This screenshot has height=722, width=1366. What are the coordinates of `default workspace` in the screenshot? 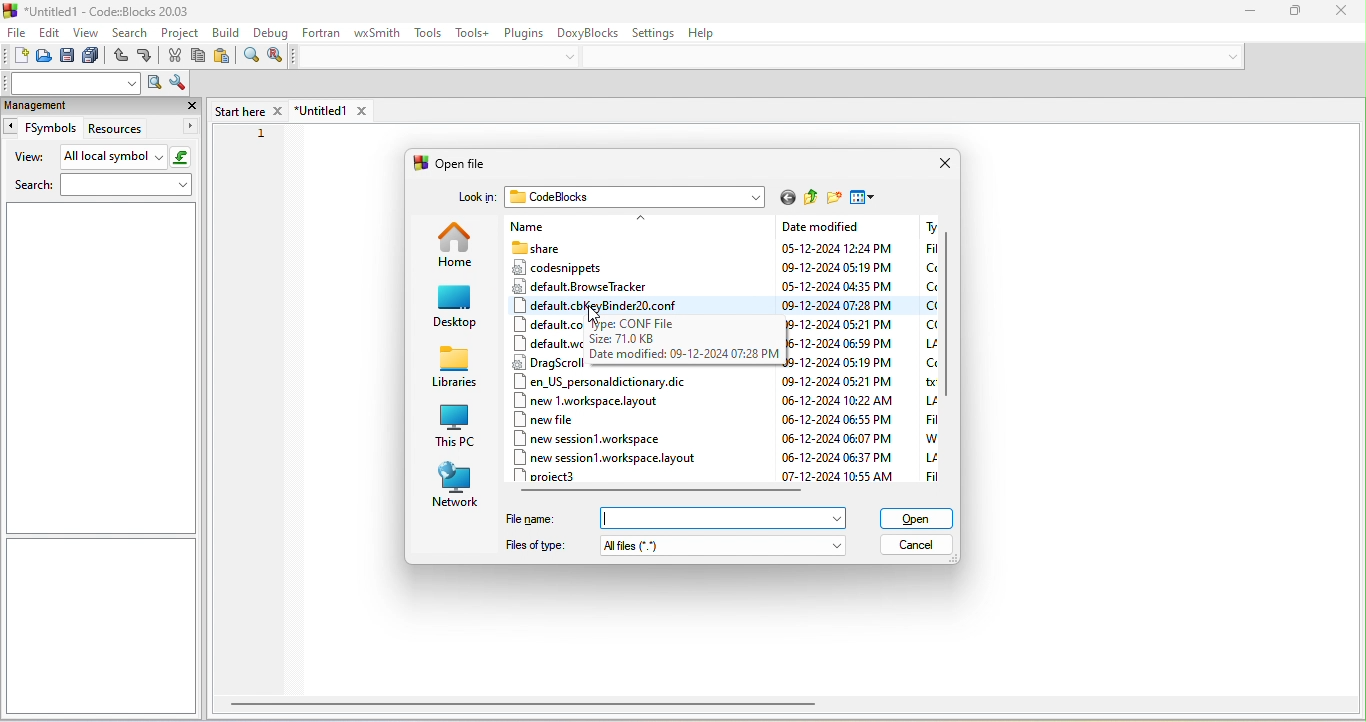 It's located at (545, 340).